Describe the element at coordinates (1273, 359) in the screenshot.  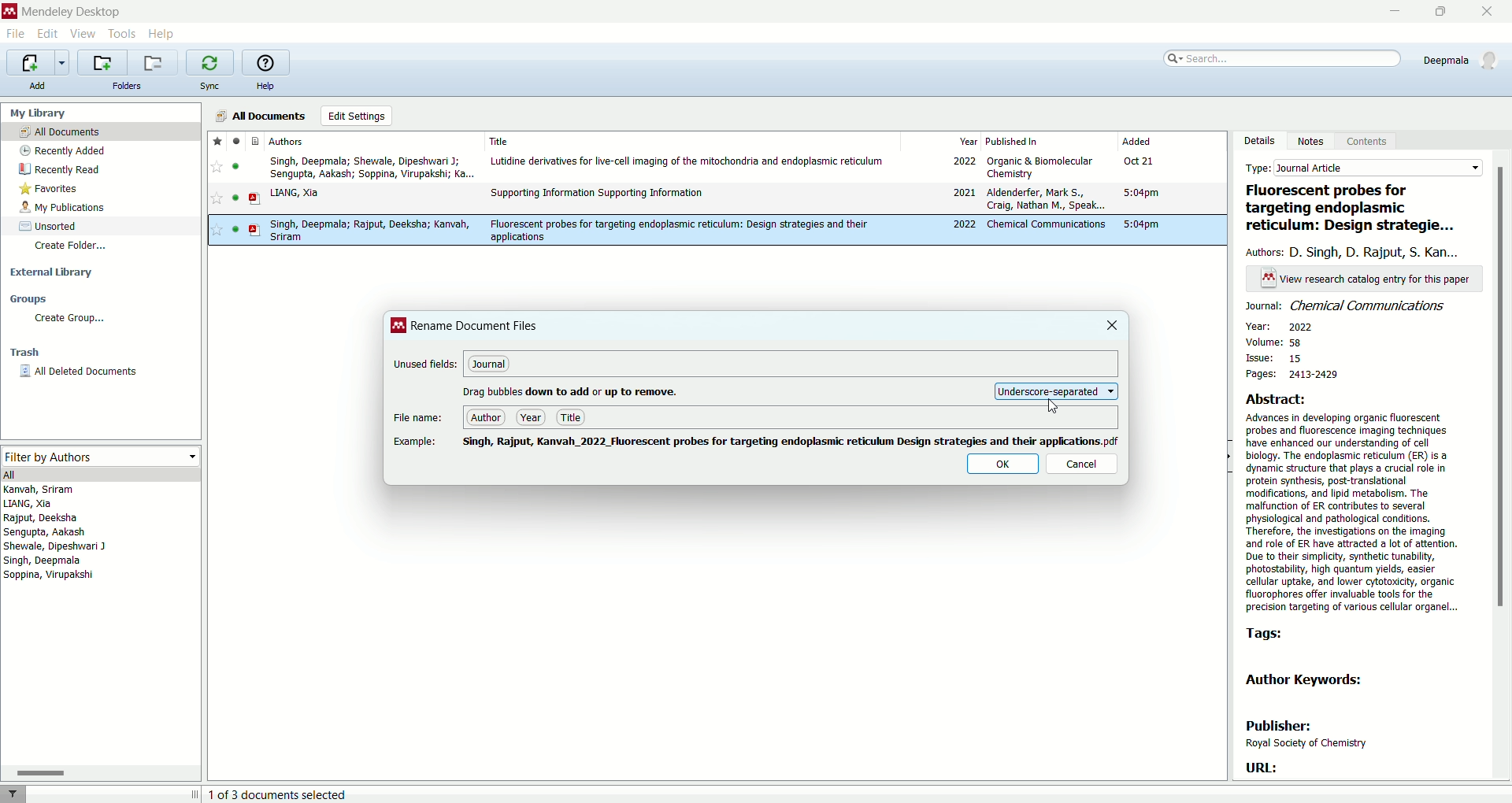
I see `issue` at that location.